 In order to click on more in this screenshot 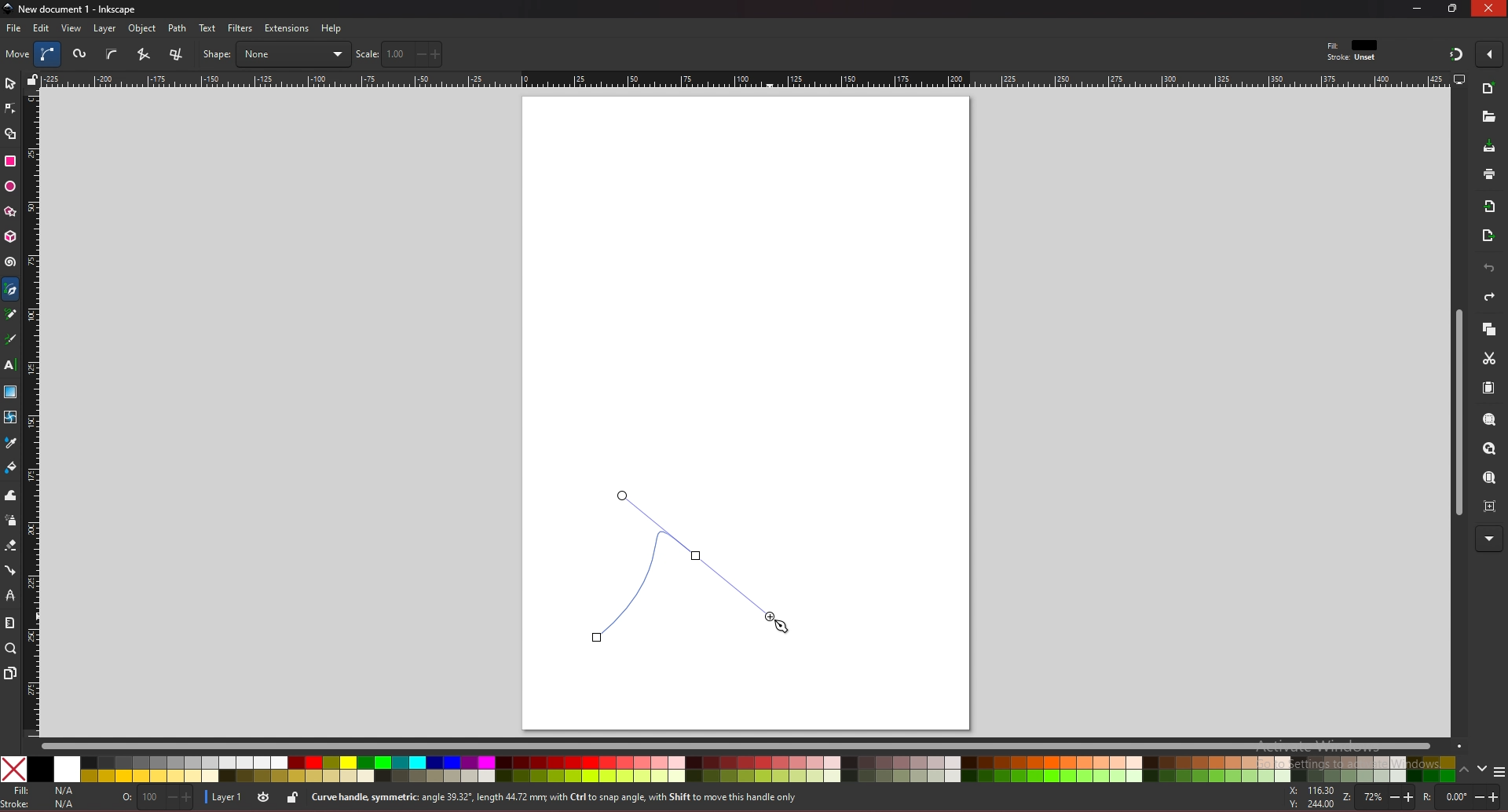, I will do `click(1489, 540)`.